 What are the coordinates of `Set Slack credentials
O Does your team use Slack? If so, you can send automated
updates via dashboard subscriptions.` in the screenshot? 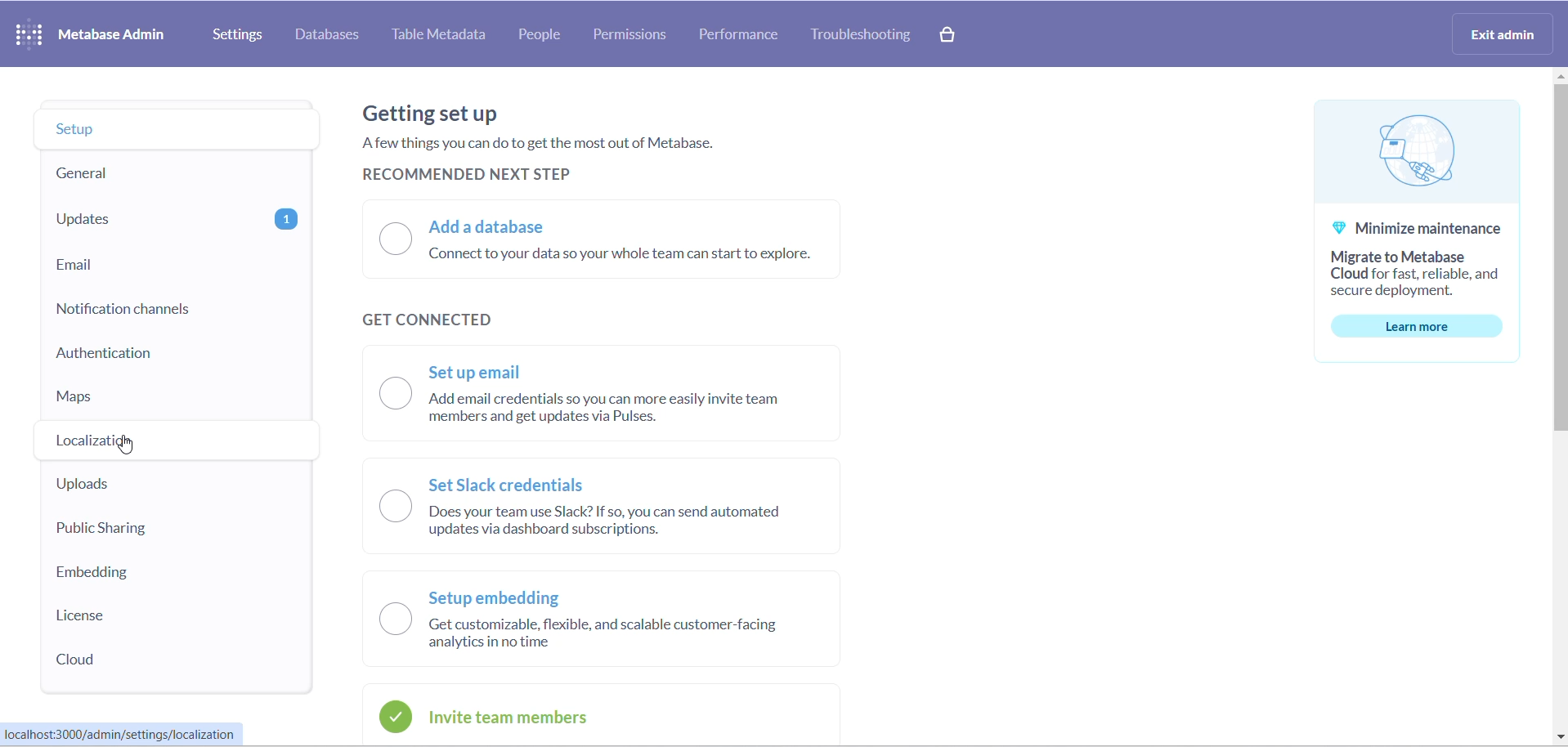 It's located at (599, 508).